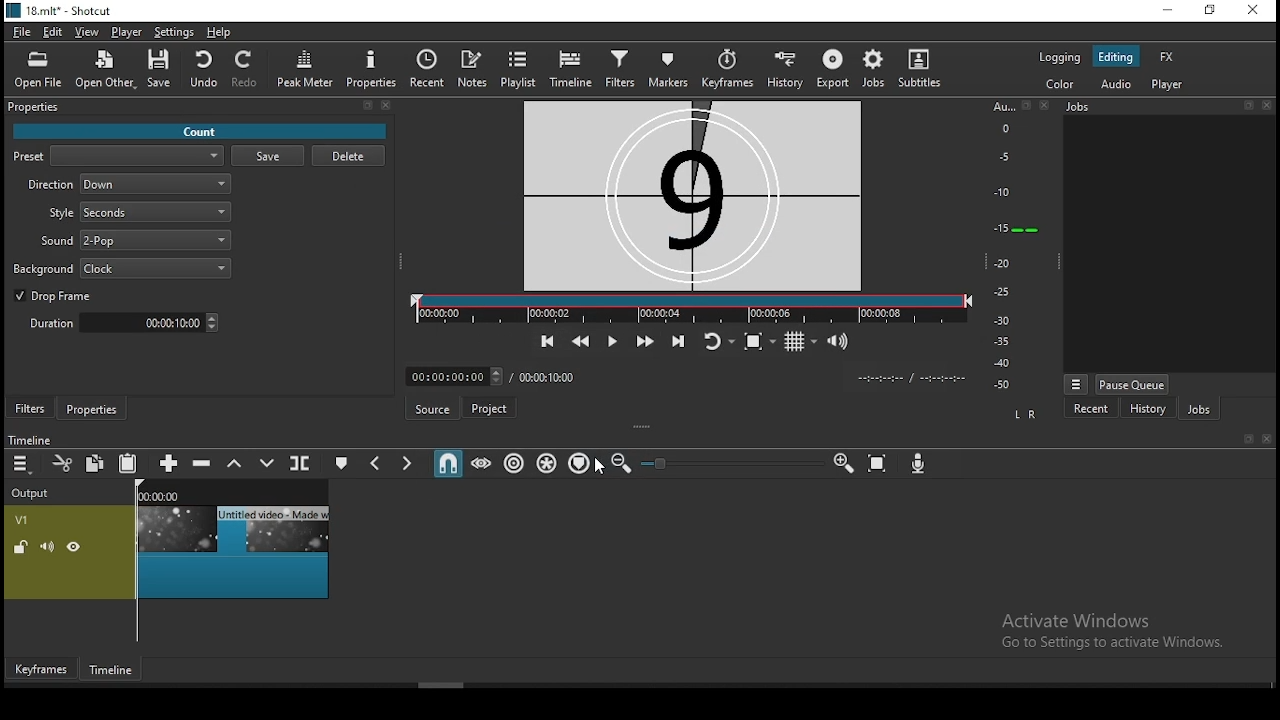 The width and height of the screenshot is (1280, 720). I want to click on file, so click(23, 29).